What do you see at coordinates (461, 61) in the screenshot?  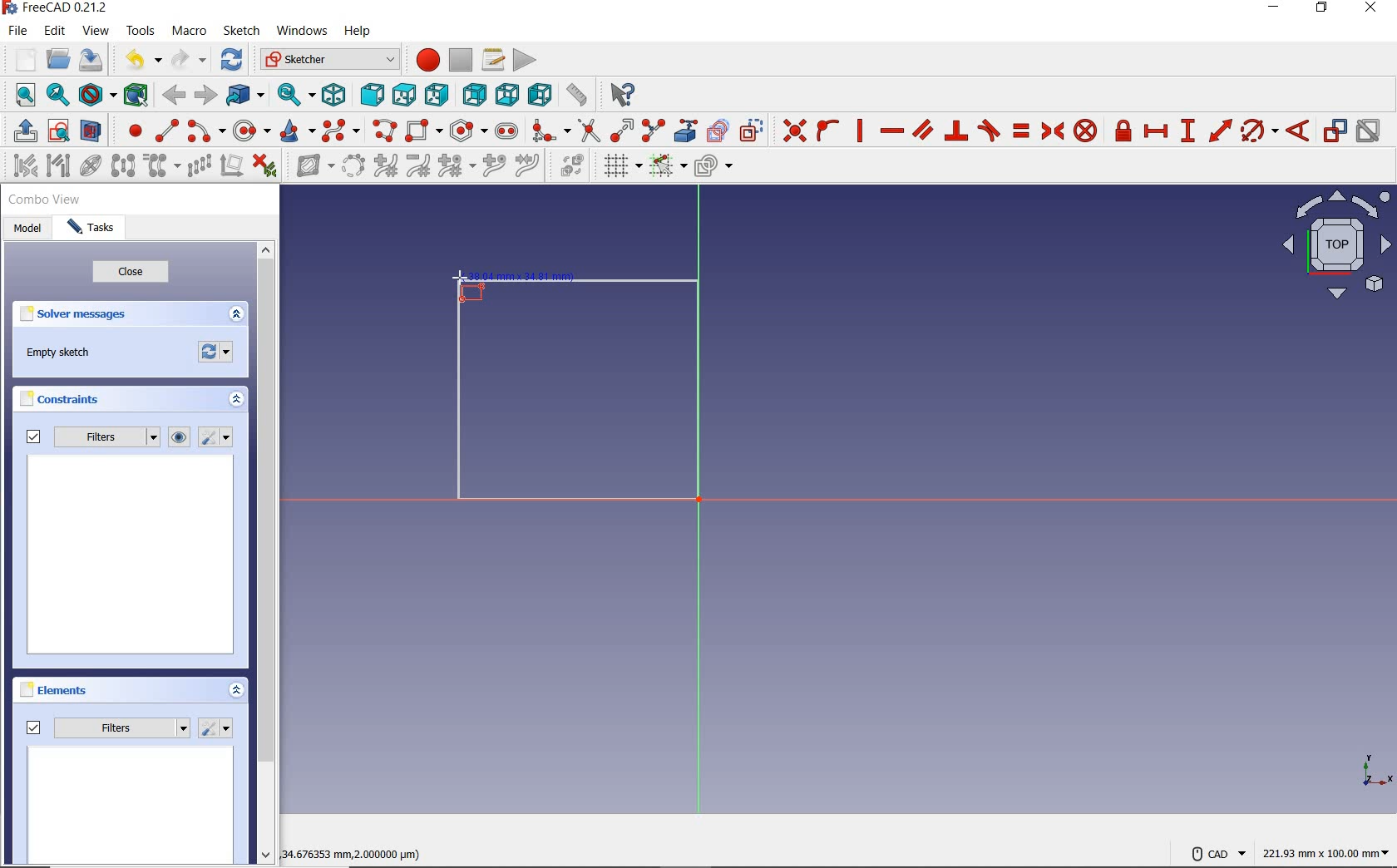 I see `stop macro recording` at bounding box center [461, 61].